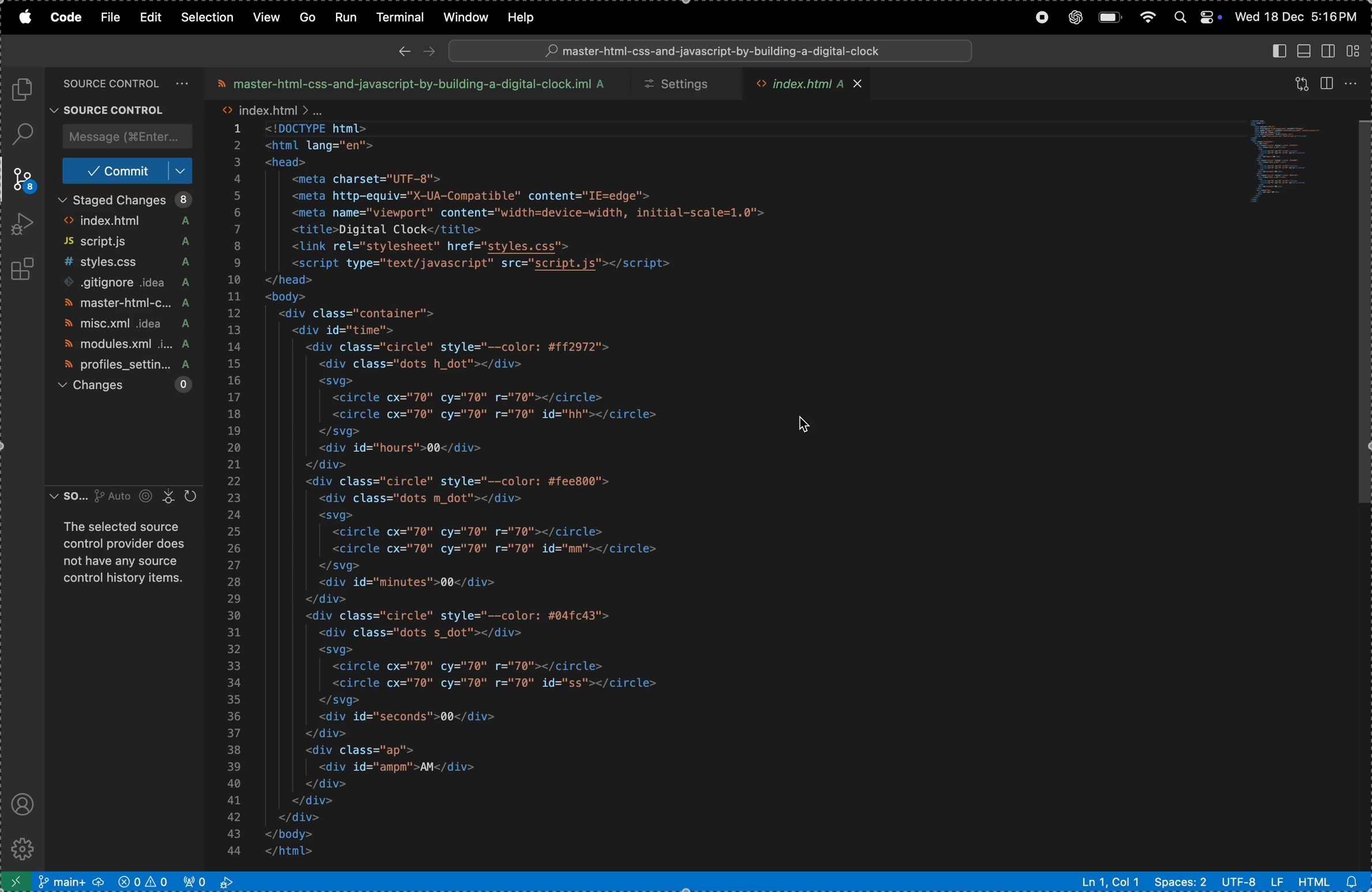 The image size is (1372, 892). Describe the element at coordinates (209, 16) in the screenshot. I see `slection` at that location.